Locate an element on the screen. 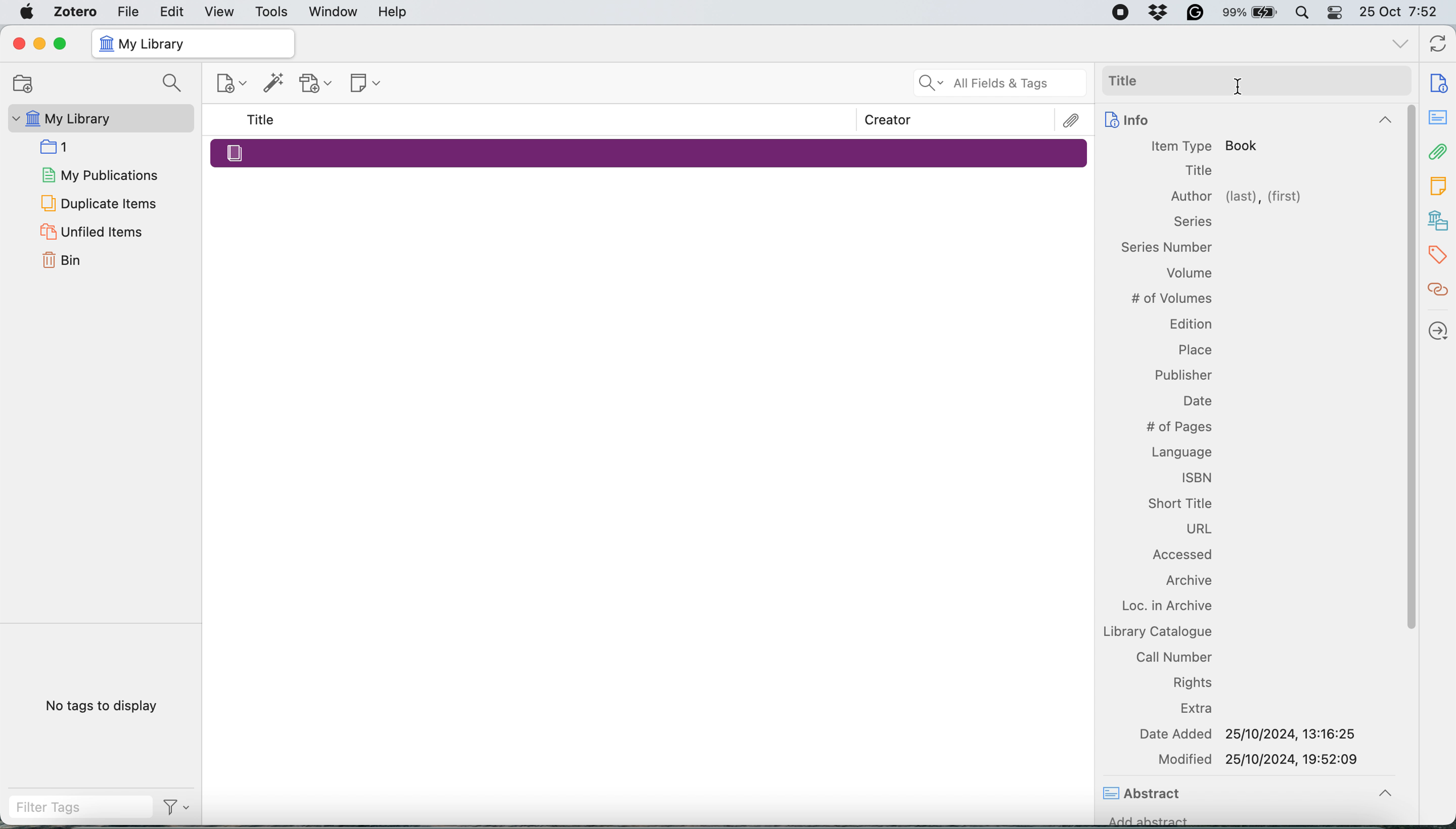 This screenshot has height=829, width=1456. URL is located at coordinates (1199, 530).